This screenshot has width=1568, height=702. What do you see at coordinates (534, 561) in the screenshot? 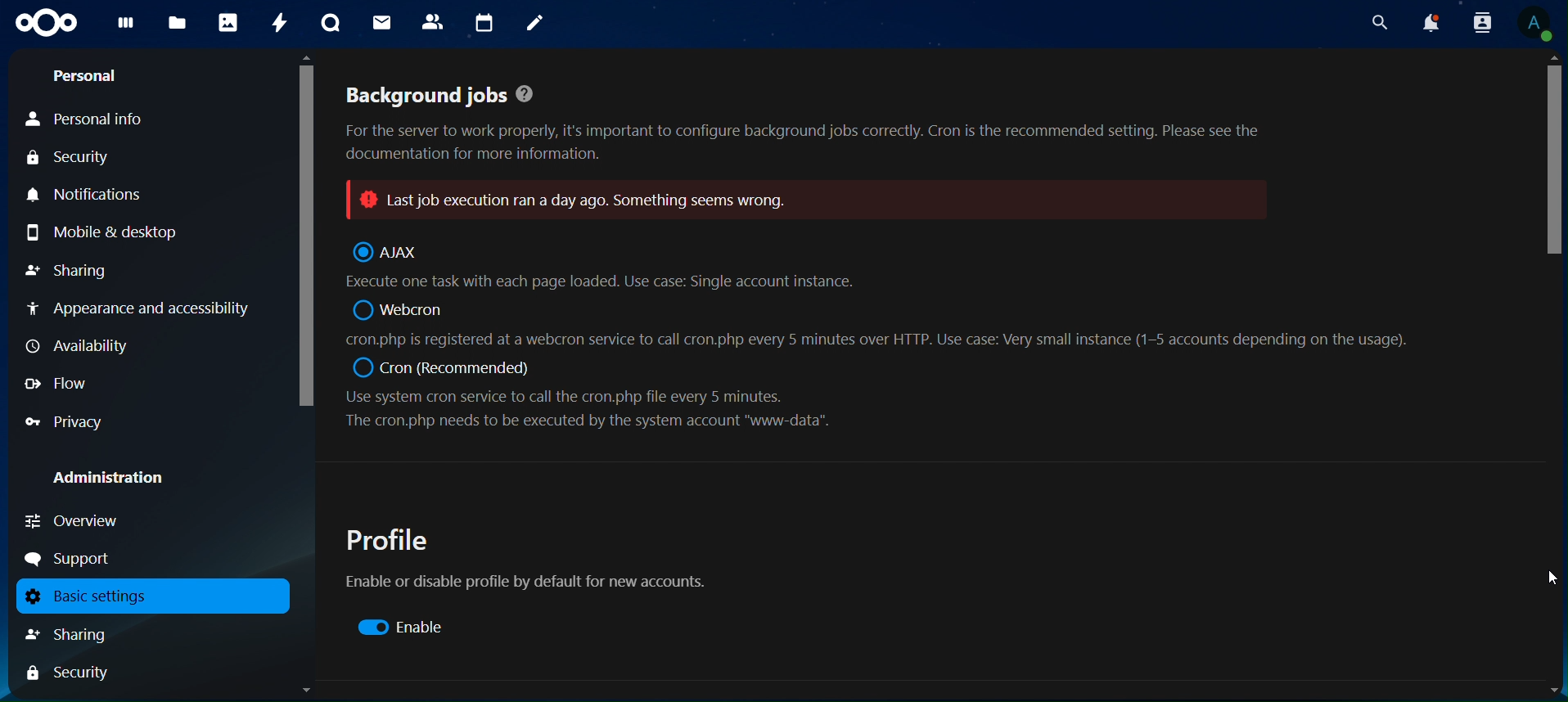
I see `Profile
Enable or disable profile by default for new accounts.` at bounding box center [534, 561].